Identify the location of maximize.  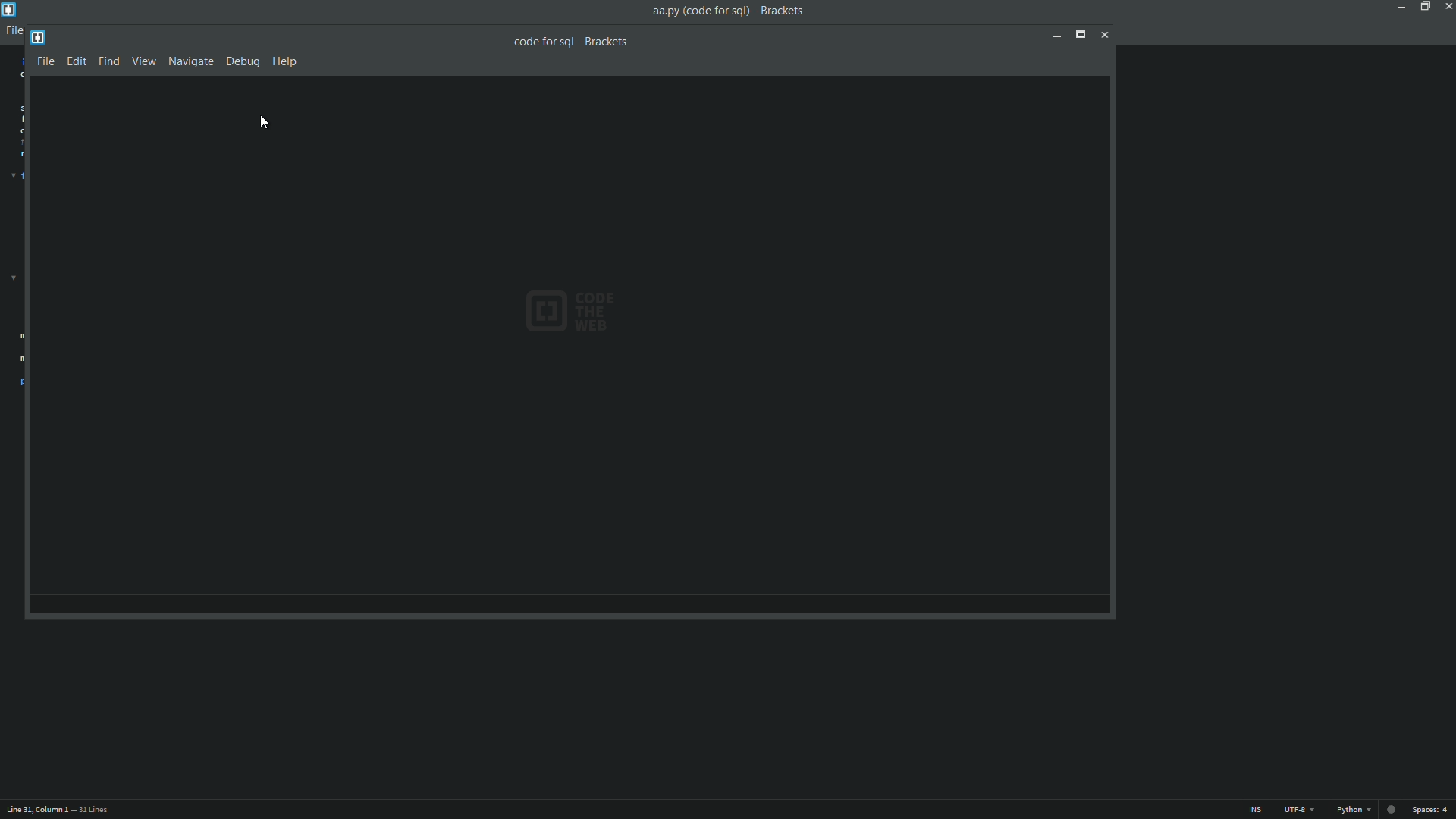
(1425, 7).